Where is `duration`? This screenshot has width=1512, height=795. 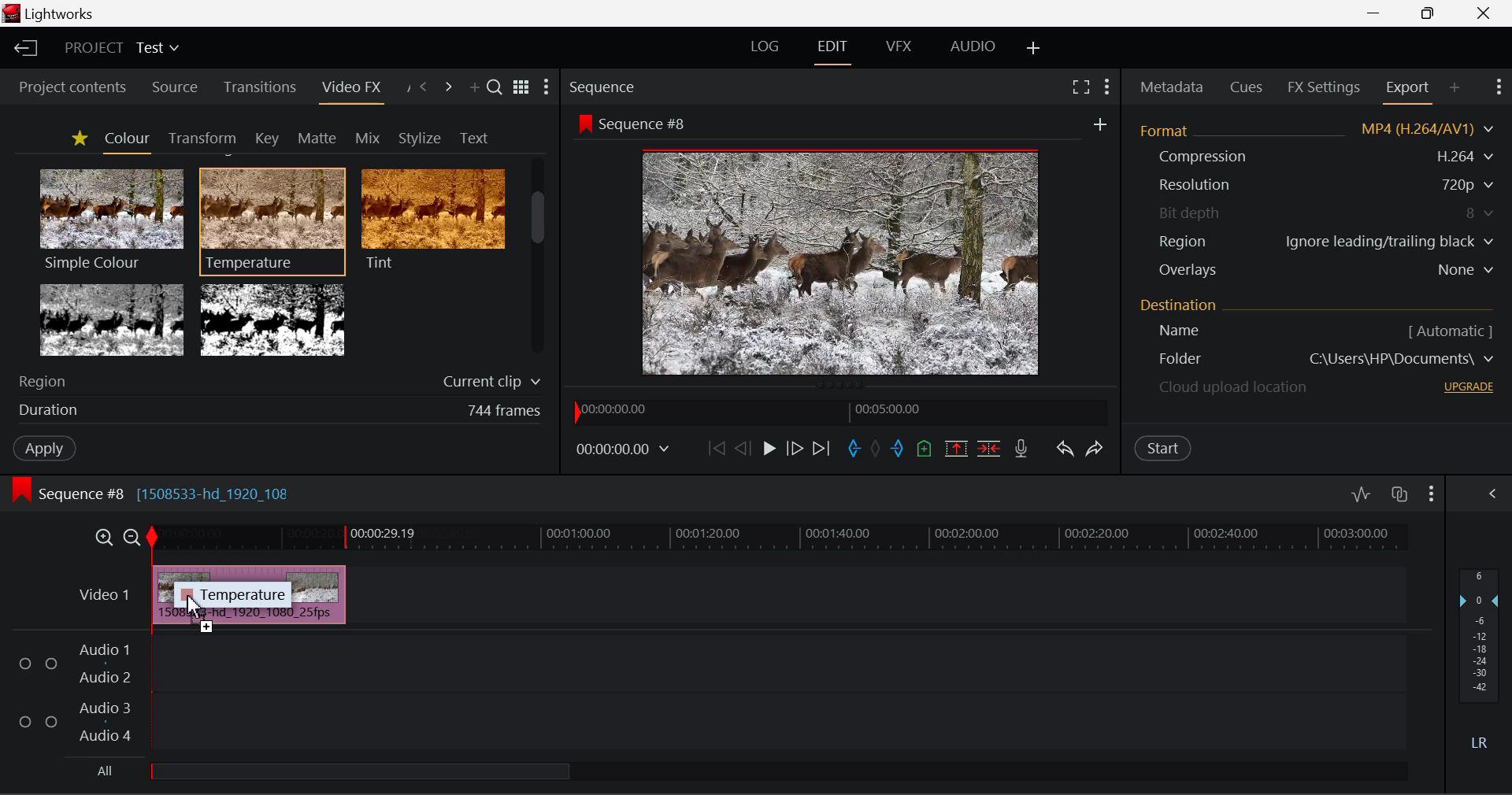 duration is located at coordinates (44, 411).